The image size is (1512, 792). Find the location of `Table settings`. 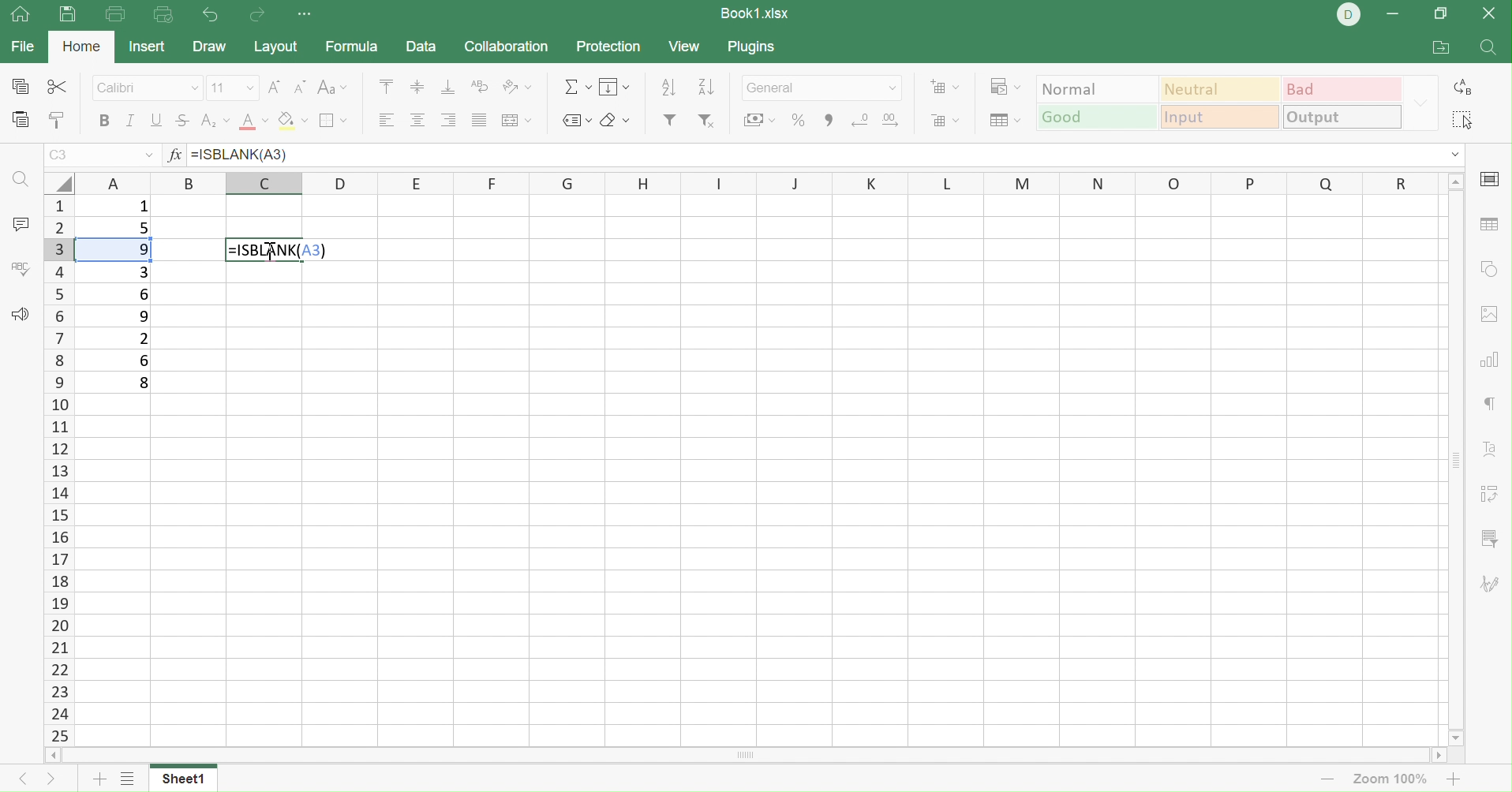

Table settings is located at coordinates (1488, 223).